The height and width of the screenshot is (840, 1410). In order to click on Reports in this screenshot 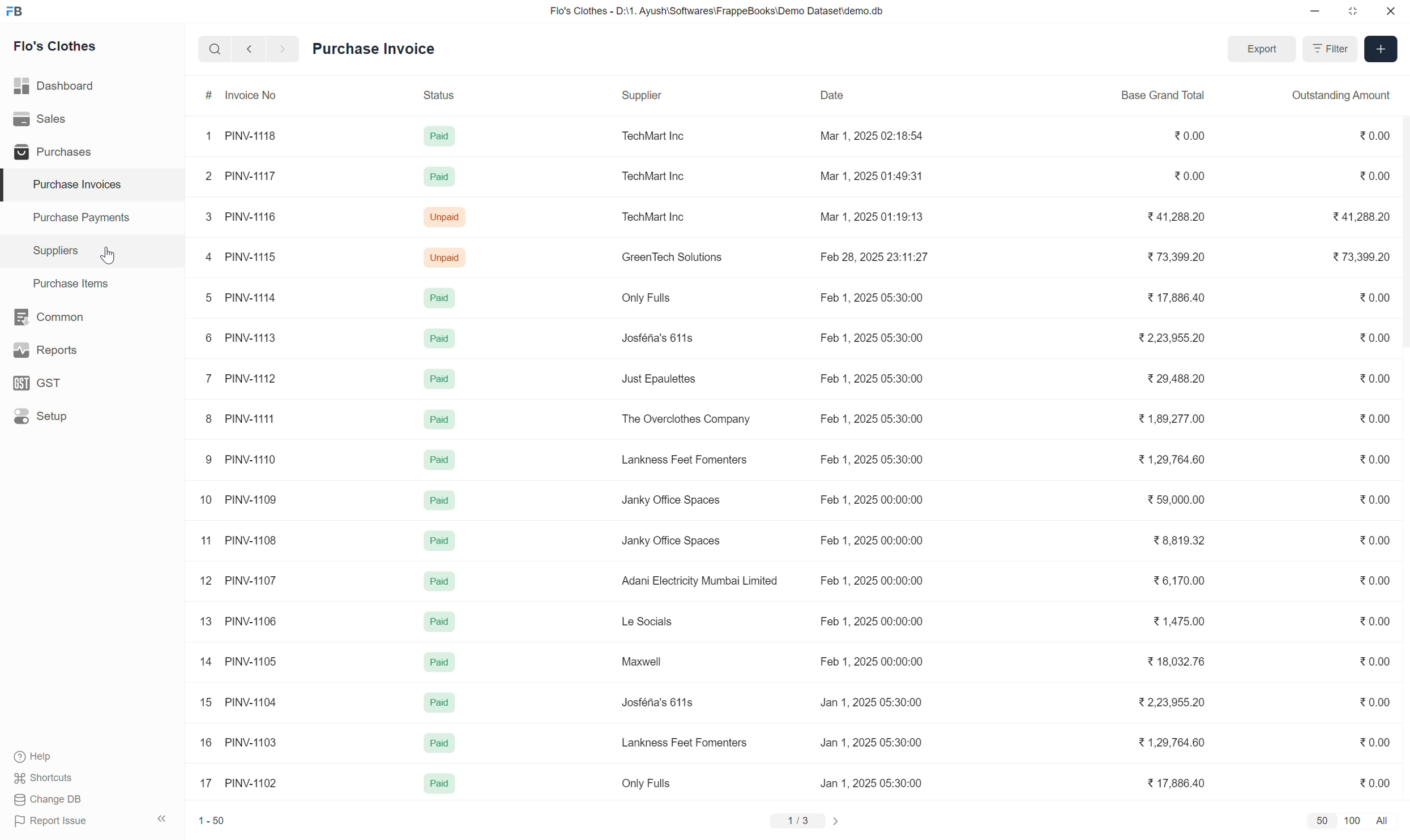, I will do `click(41, 344)`.